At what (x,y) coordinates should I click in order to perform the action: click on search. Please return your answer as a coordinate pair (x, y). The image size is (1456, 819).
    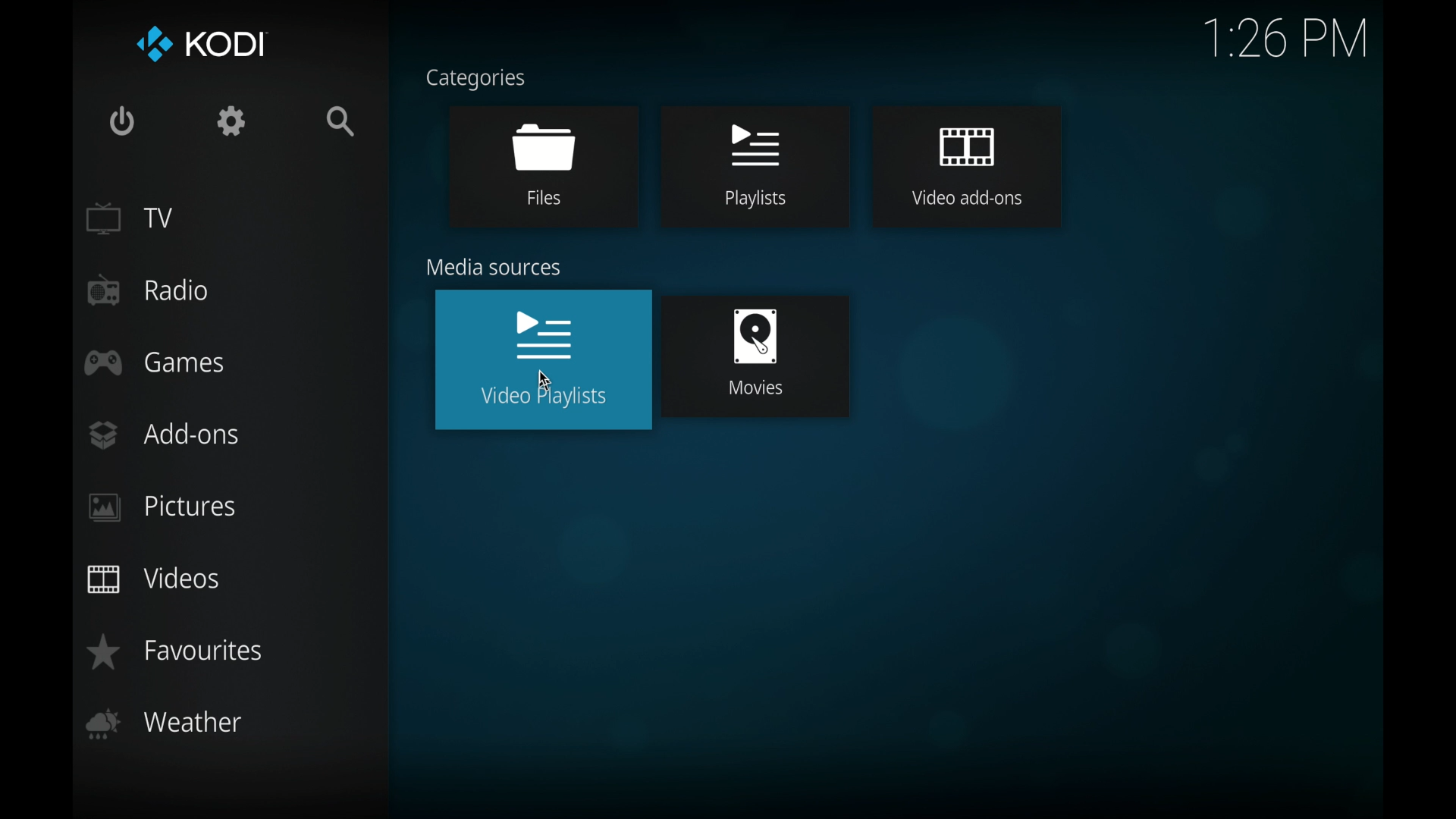
    Looking at the image, I should click on (343, 122).